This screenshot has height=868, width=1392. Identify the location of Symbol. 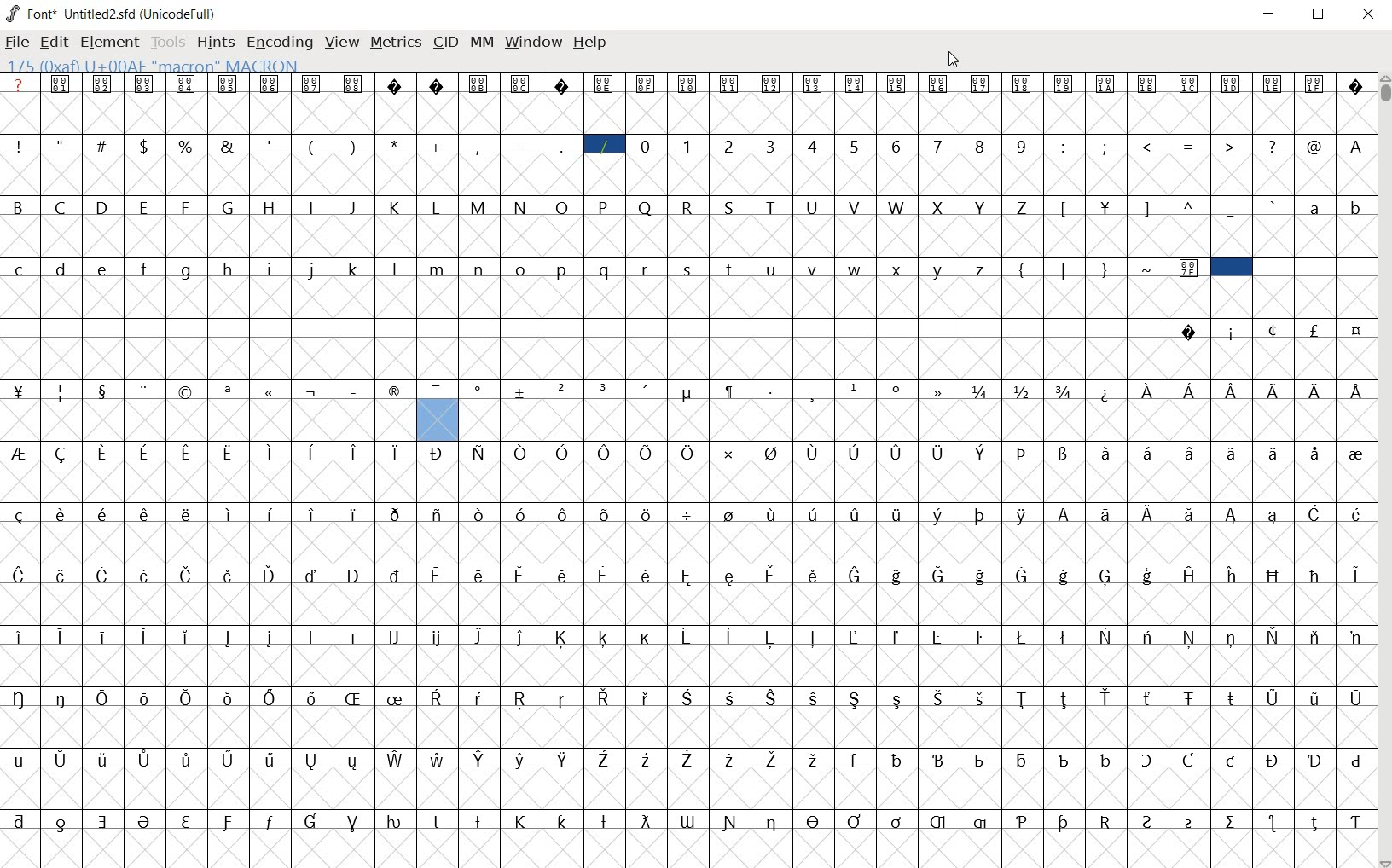
(1065, 635).